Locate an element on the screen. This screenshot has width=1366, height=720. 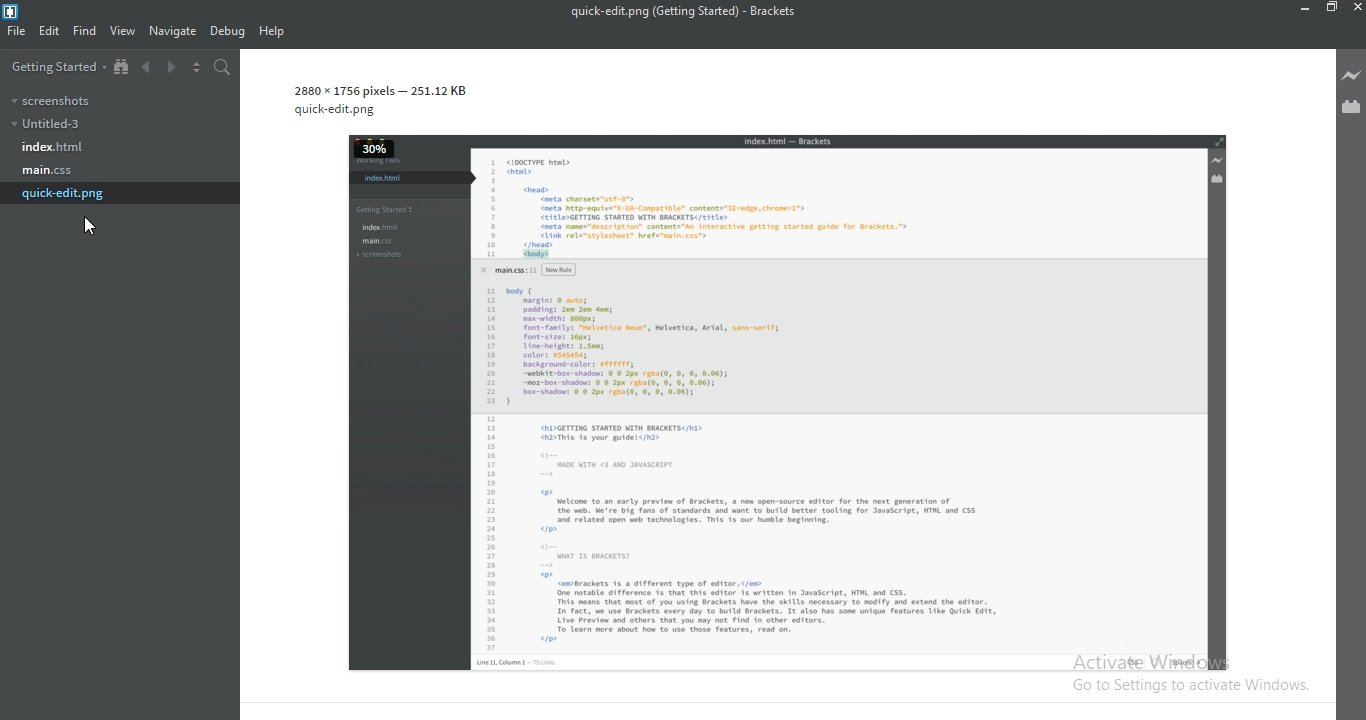
quick -edit.pnggetting started - Brackets is located at coordinates (689, 11).